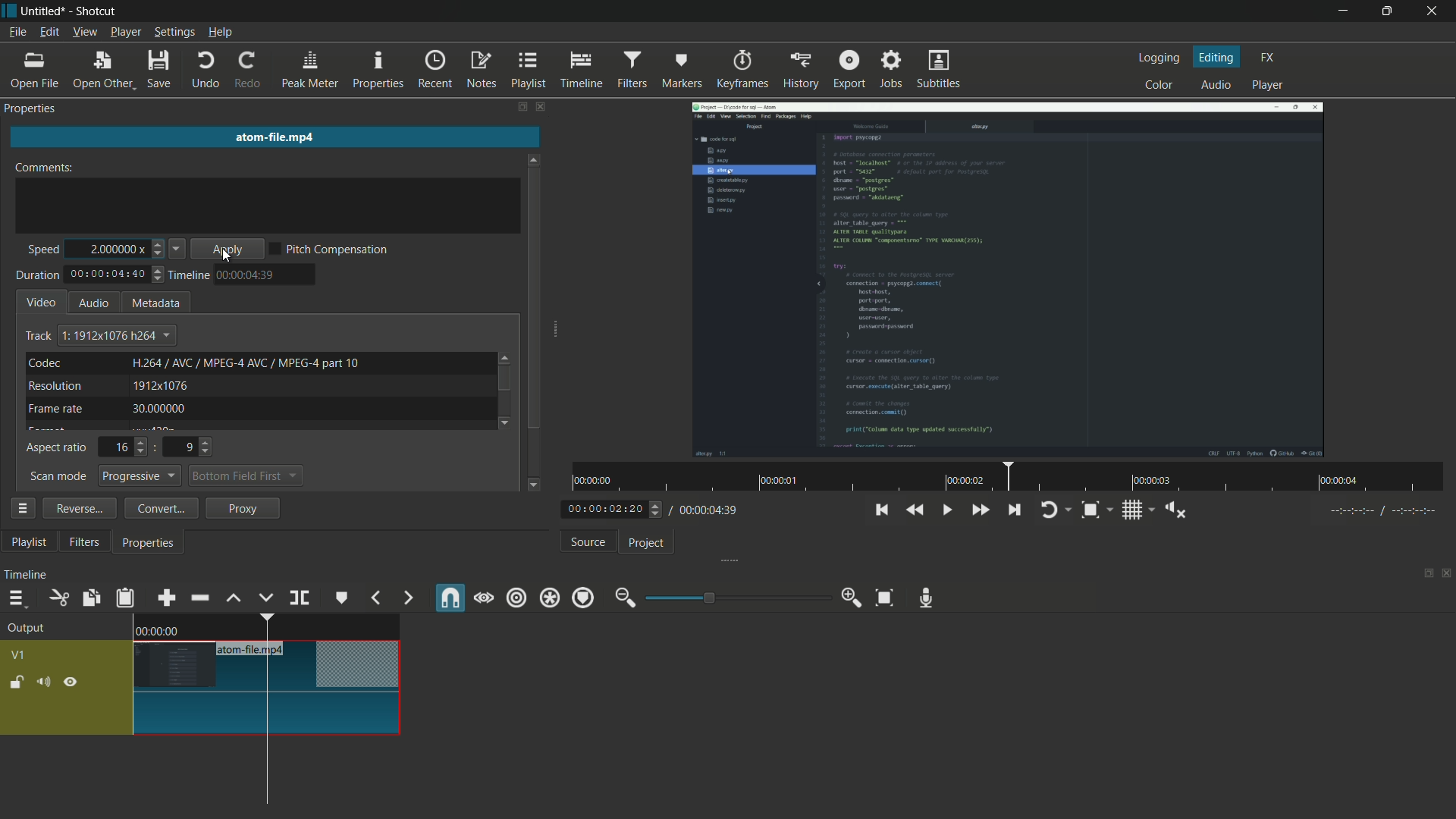  What do you see at coordinates (480, 71) in the screenshot?
I see `notes` at bounding box center [480, 71].